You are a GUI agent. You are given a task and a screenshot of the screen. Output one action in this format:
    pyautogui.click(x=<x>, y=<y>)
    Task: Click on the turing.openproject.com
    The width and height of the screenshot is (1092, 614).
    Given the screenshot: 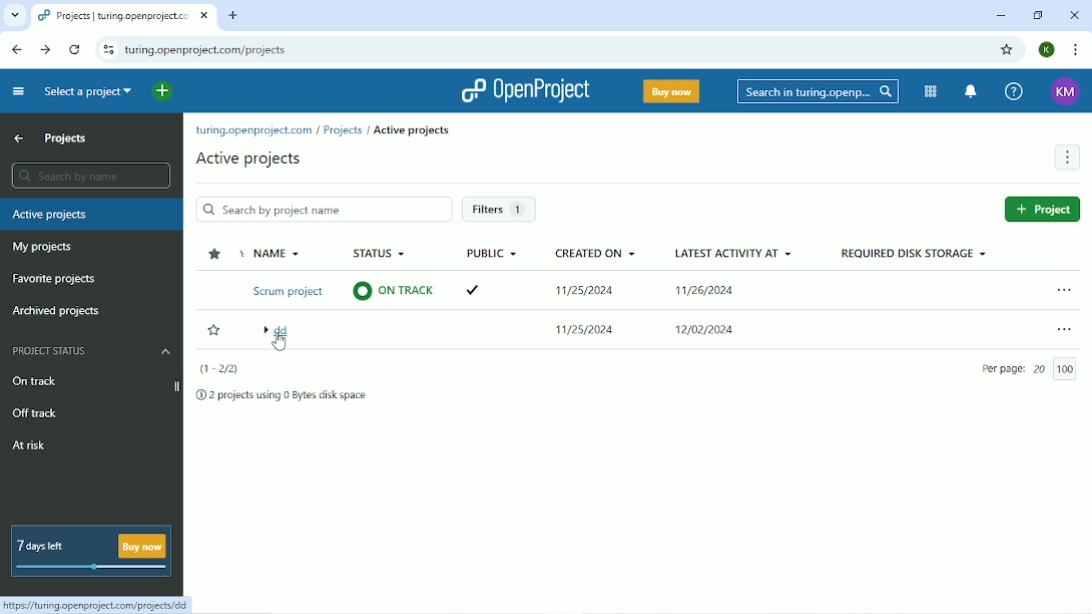 What is the action you would take?
    pyautogui.click(x=252, y=131)
    